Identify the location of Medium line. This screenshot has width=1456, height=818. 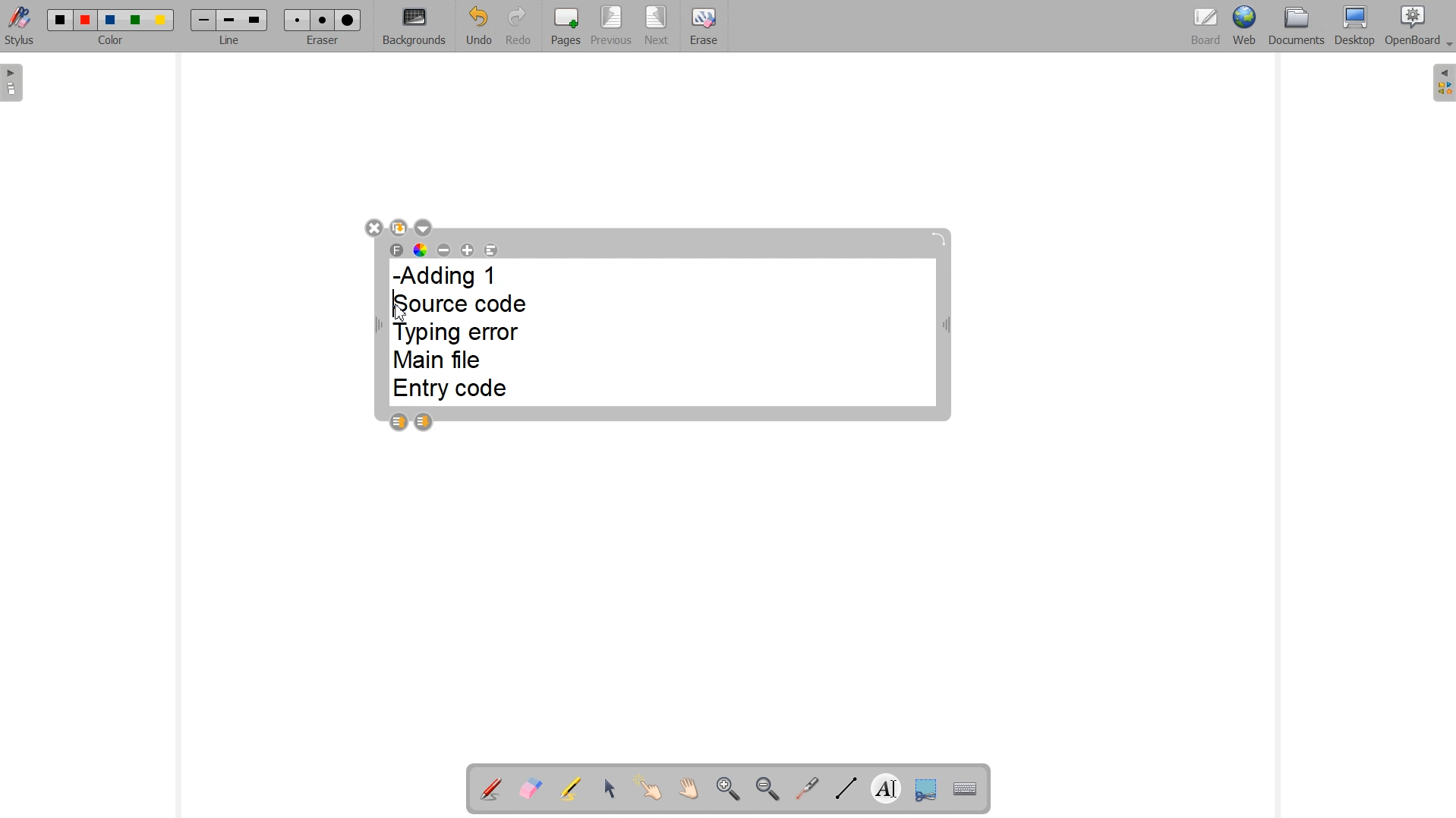
(230, 20).